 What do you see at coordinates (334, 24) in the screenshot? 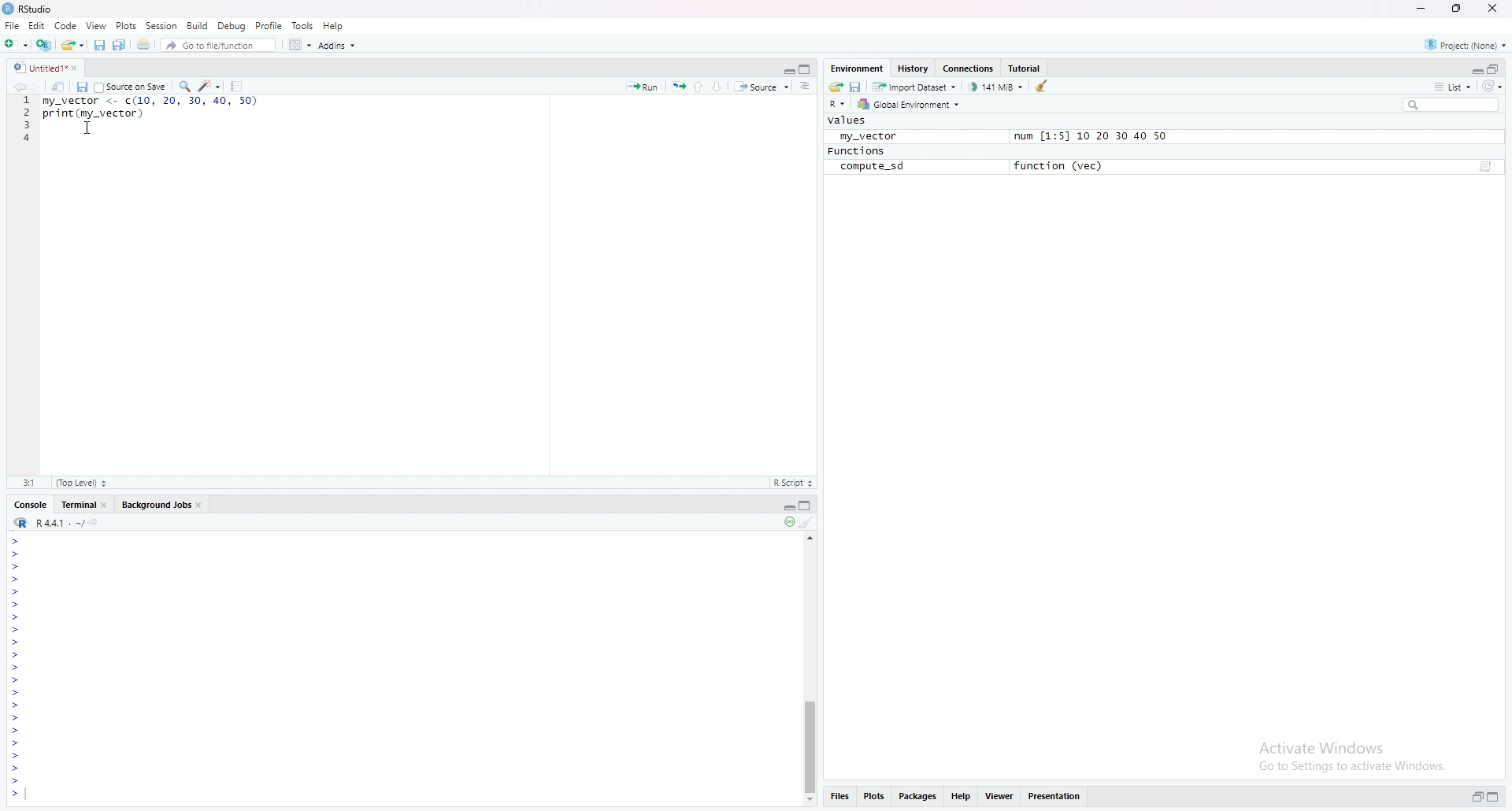
I see `Help` at bounding box center [334, 24].